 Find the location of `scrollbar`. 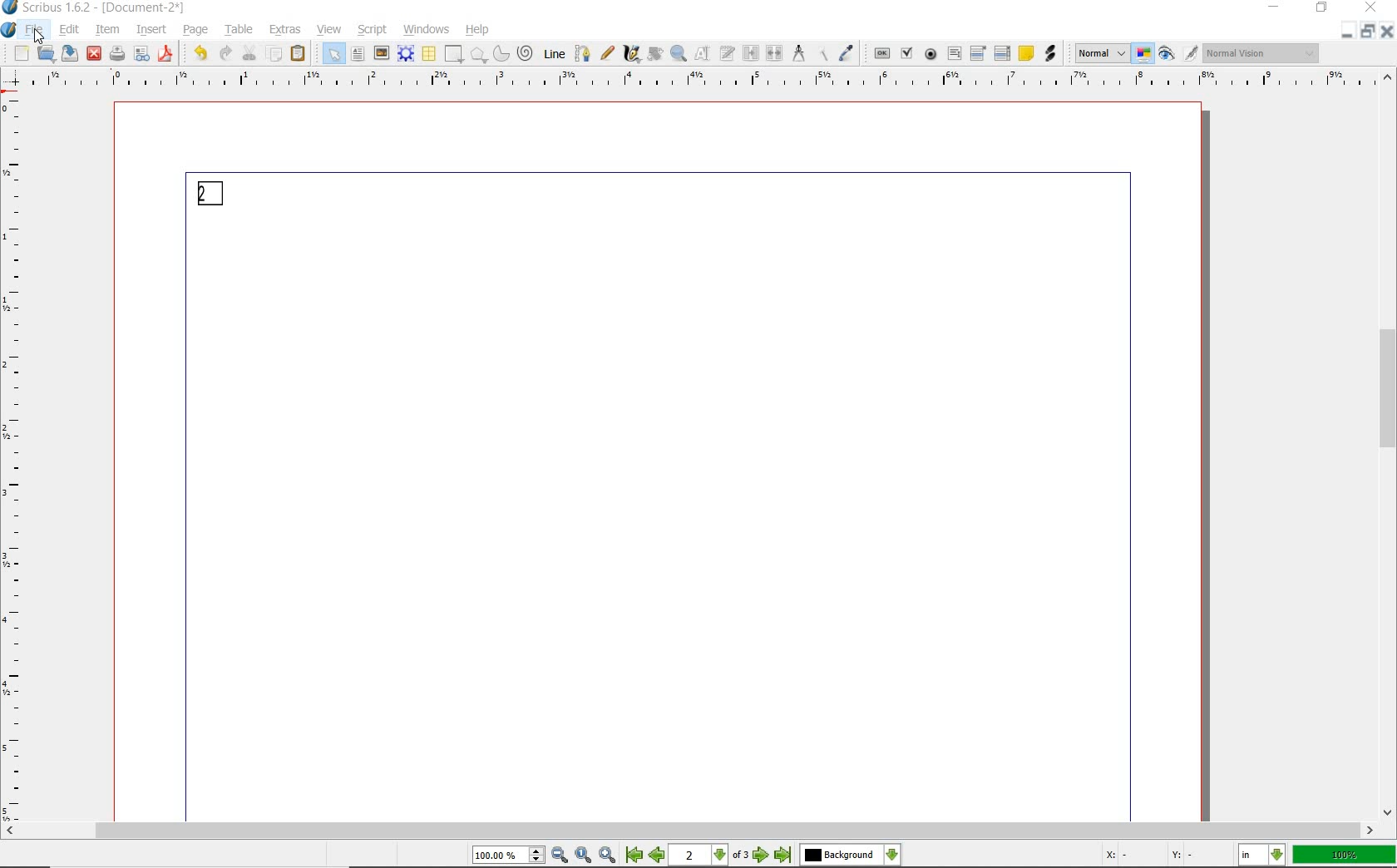

scrollbar is located at coordinates (1389, 445).